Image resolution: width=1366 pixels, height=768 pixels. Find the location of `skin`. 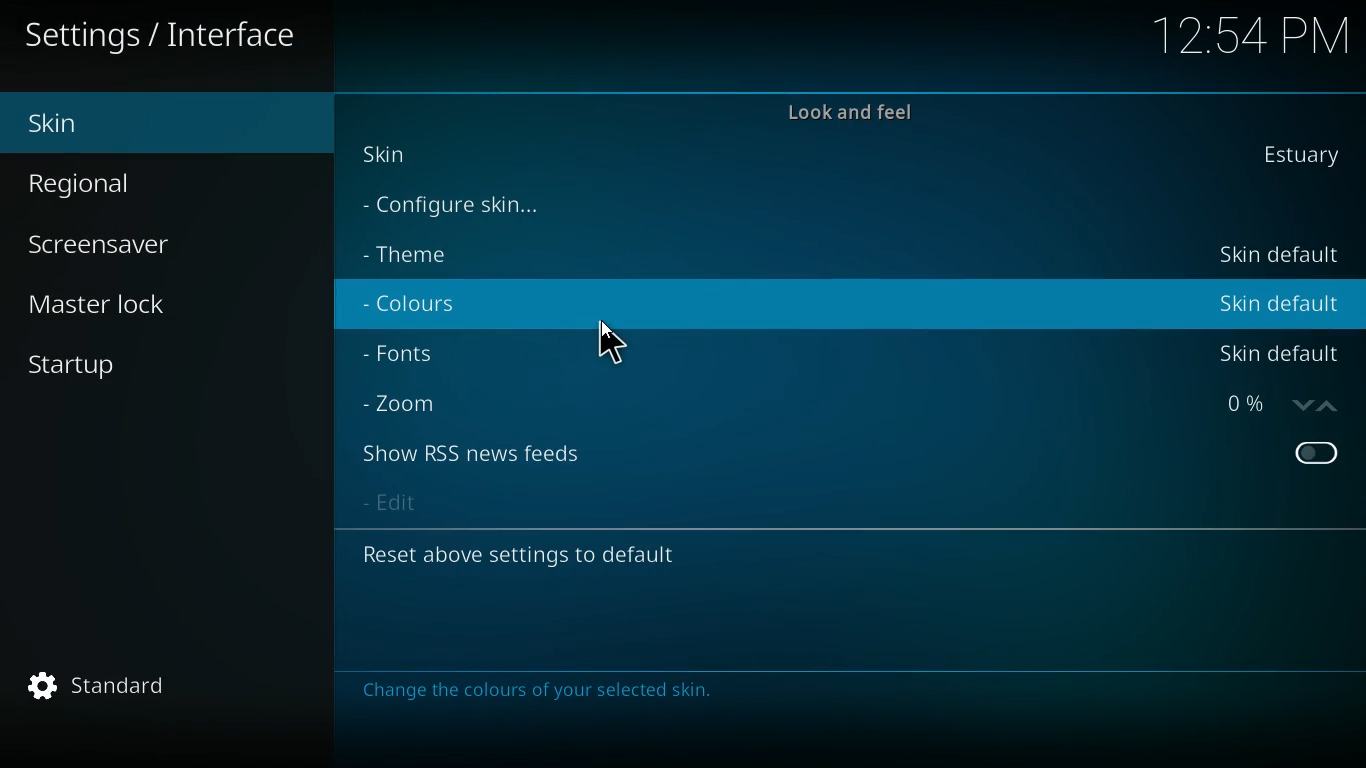

skin is located at coordinates (1310, 157).